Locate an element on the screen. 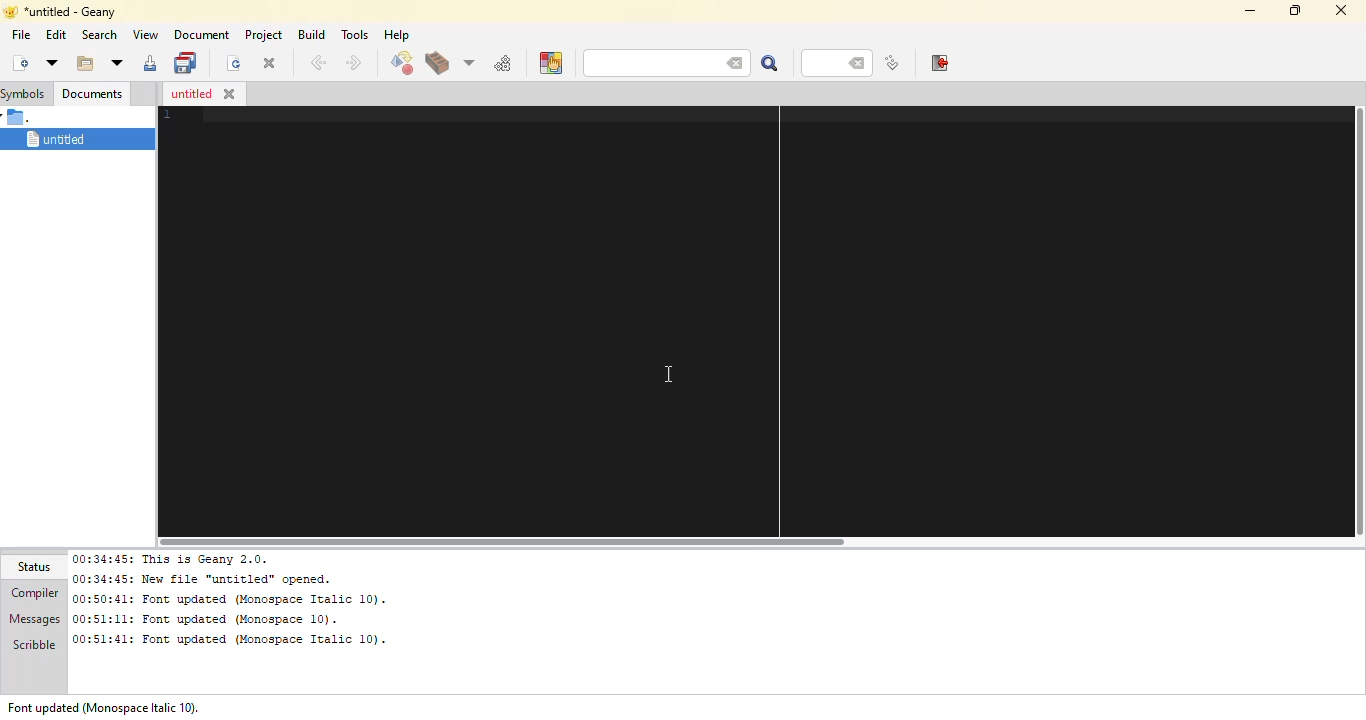 This screenshot has width=1366, height=720. color is located at coordinates (550, 63).